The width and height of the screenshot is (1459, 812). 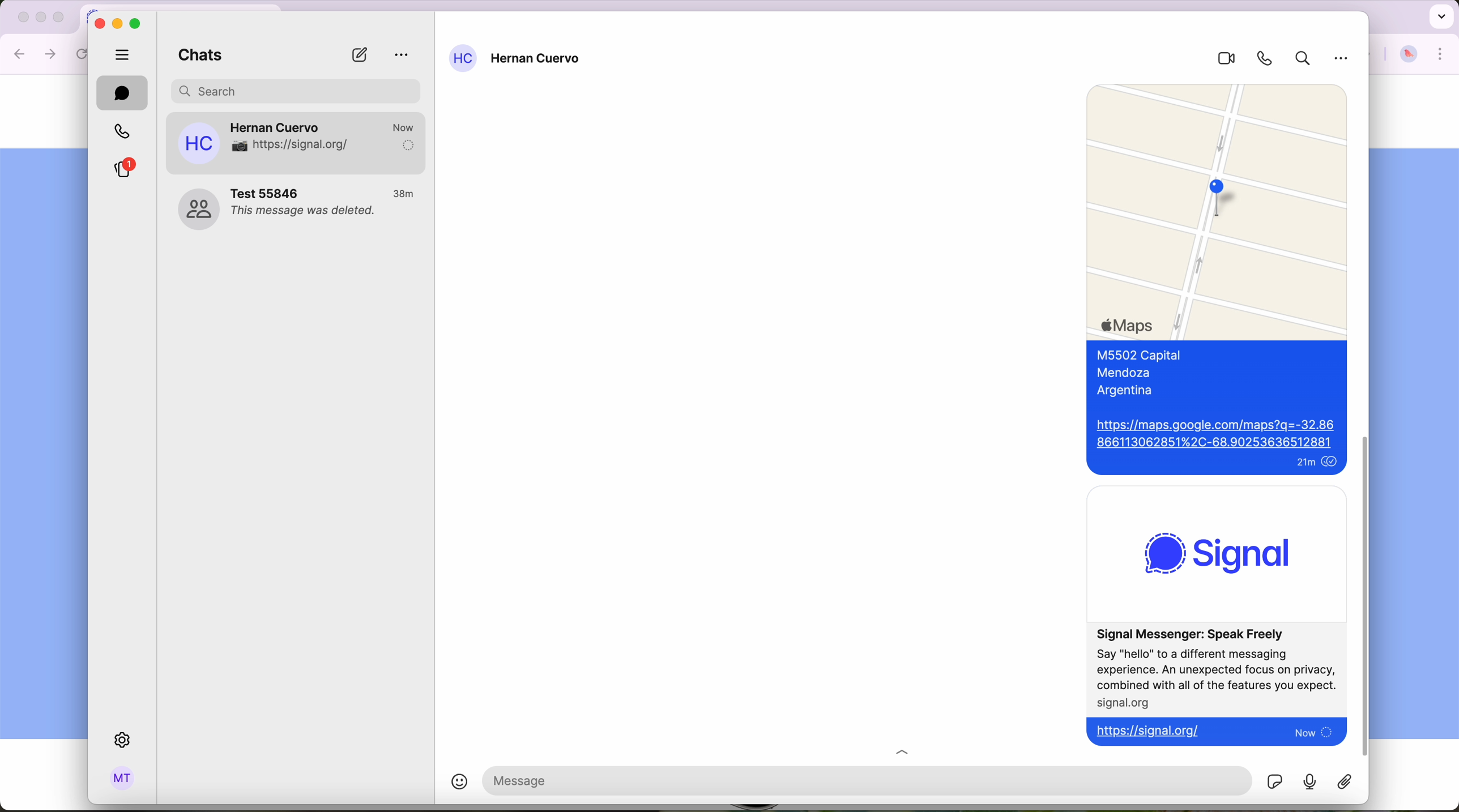 I want to click on navigate arrows, so click(x=36, y=53).